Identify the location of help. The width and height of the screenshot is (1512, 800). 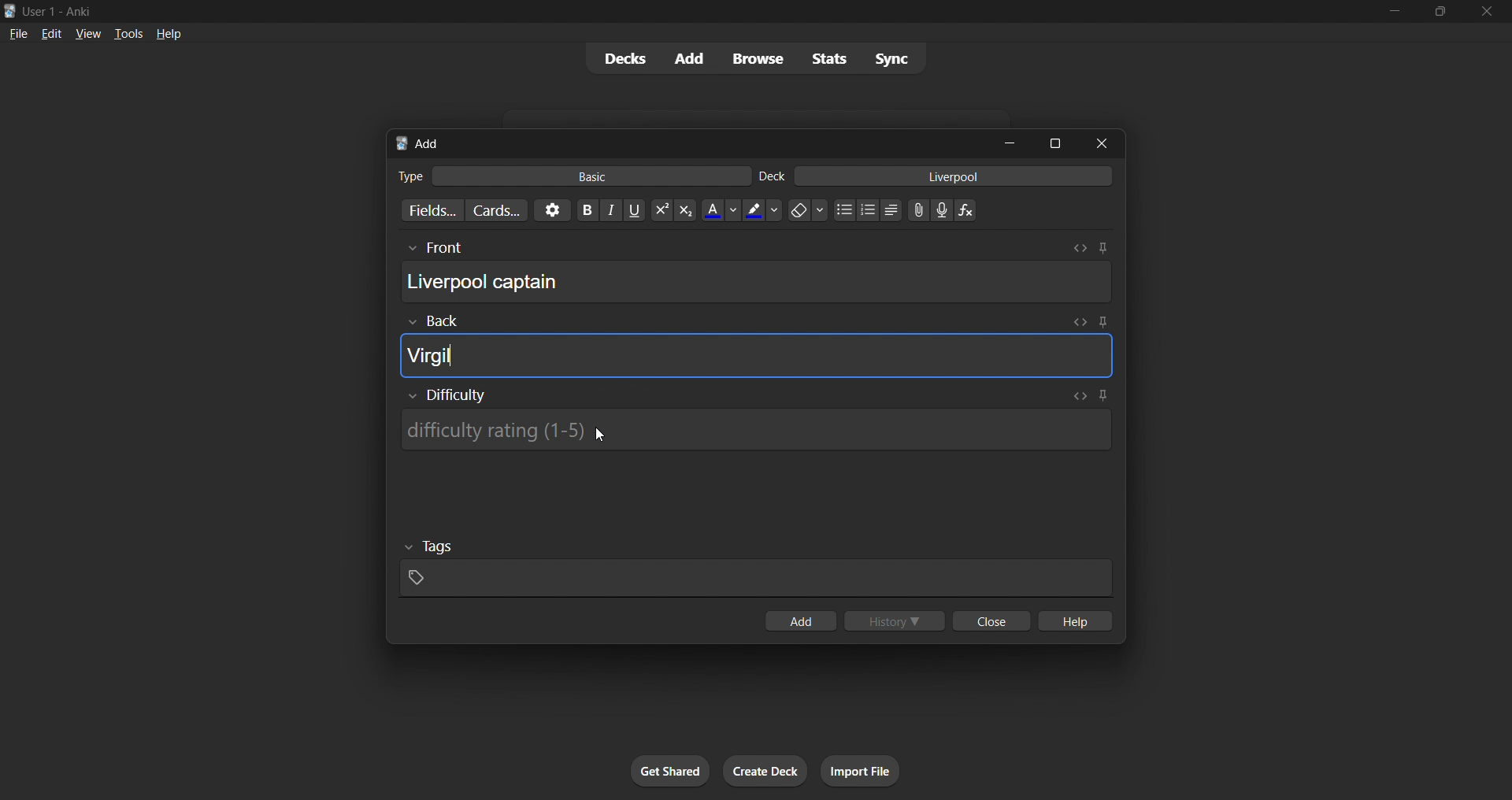
(1073, 620).